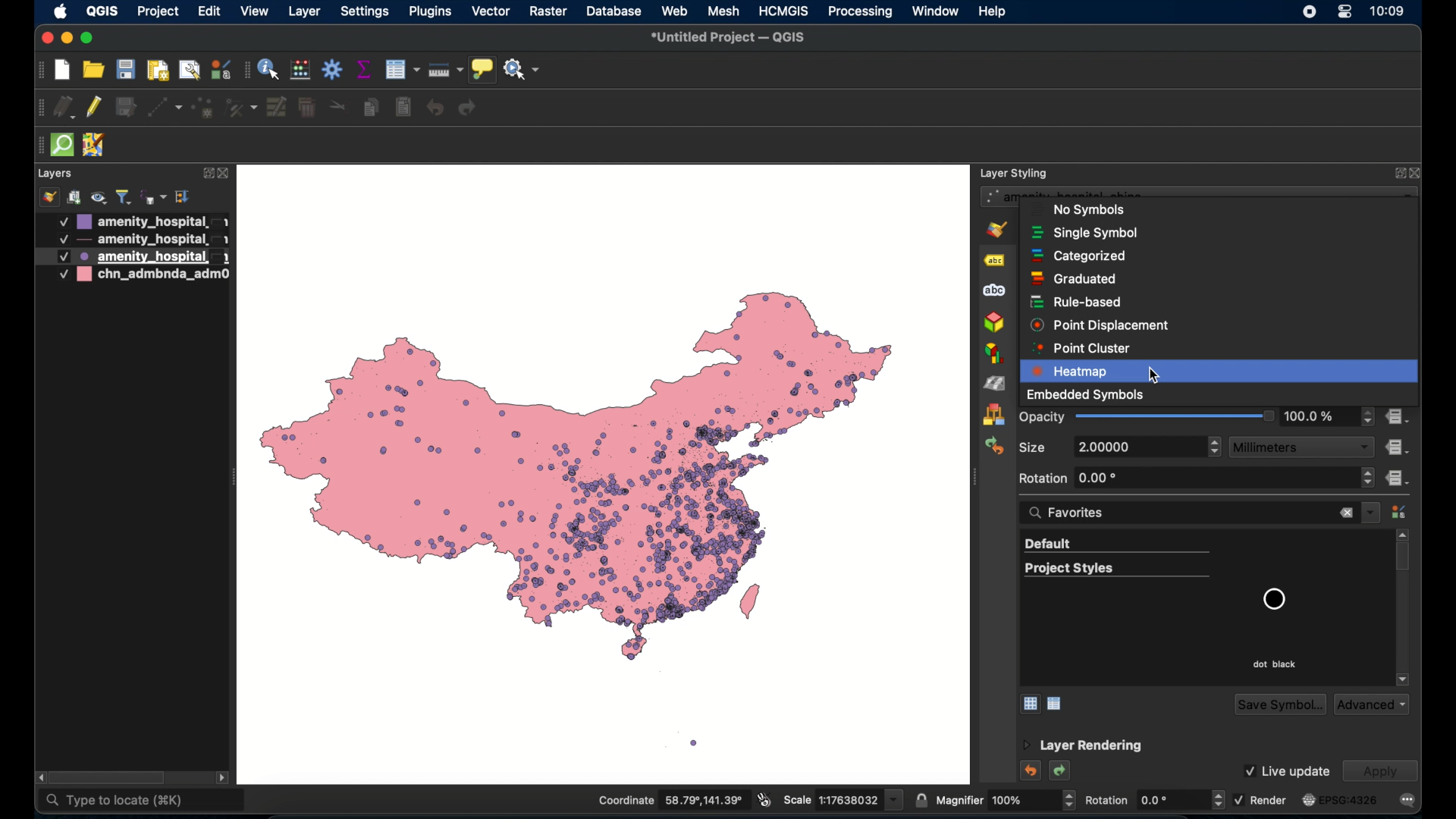 The height and width of the screenshot is (819, 1456). What do you see at coordinates (1402, 679) in the screenshot?
I see `scroll down` at bounding box center [1402, 679].